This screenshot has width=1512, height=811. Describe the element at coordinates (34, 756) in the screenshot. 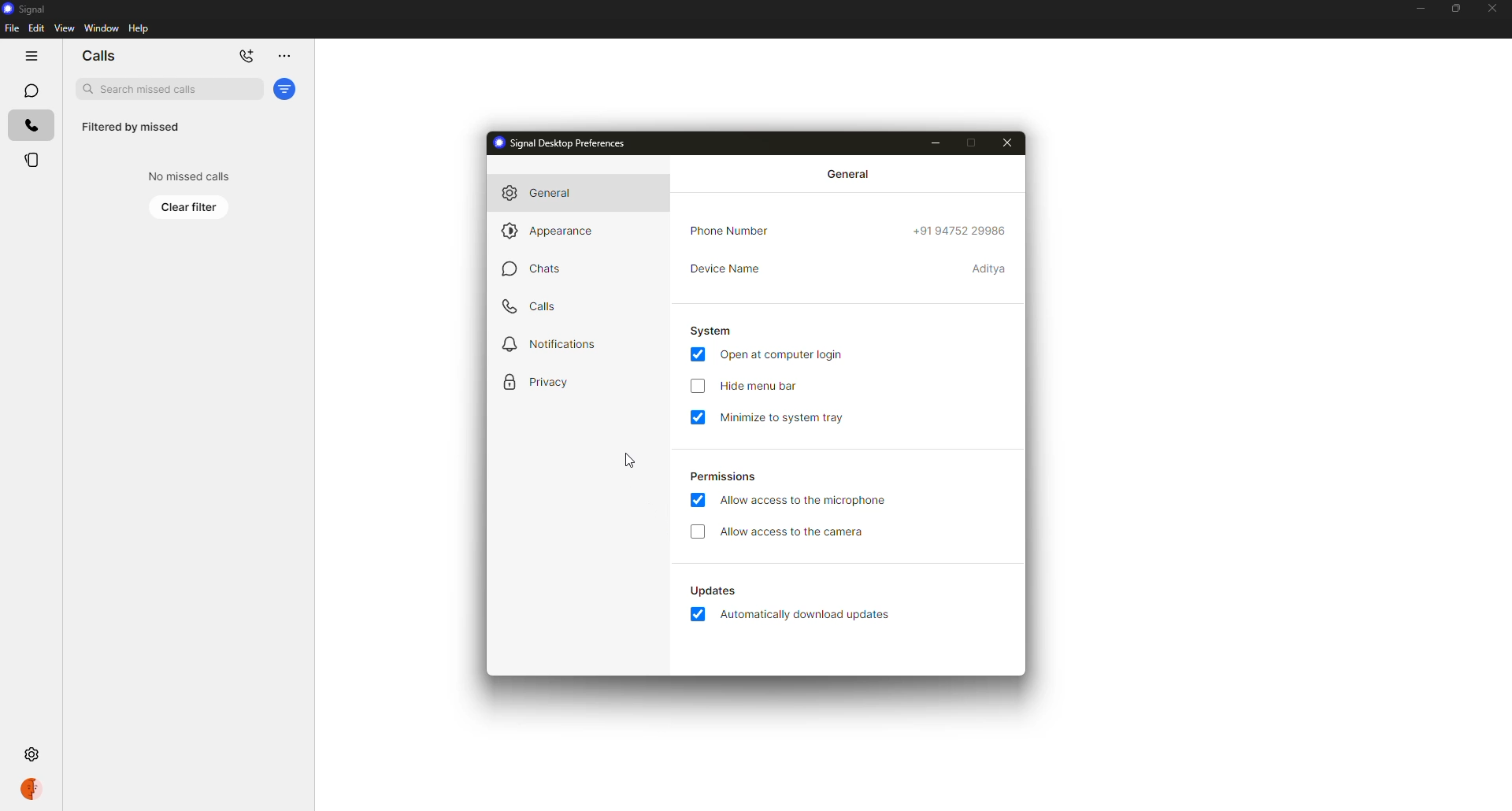

I see `settings` at that location.